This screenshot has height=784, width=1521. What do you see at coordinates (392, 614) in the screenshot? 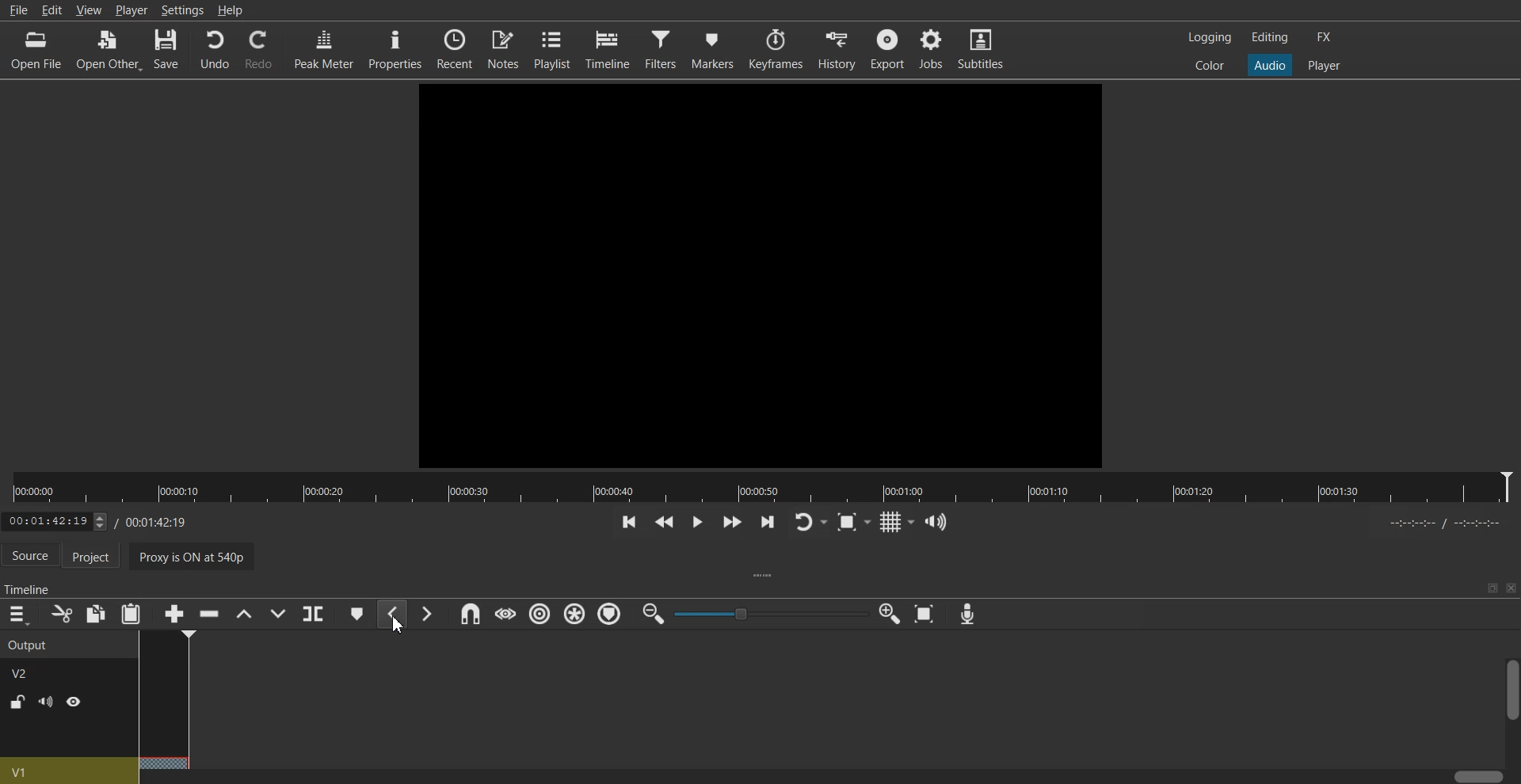
I see `Previous marker` at bounding box center [392, 614].